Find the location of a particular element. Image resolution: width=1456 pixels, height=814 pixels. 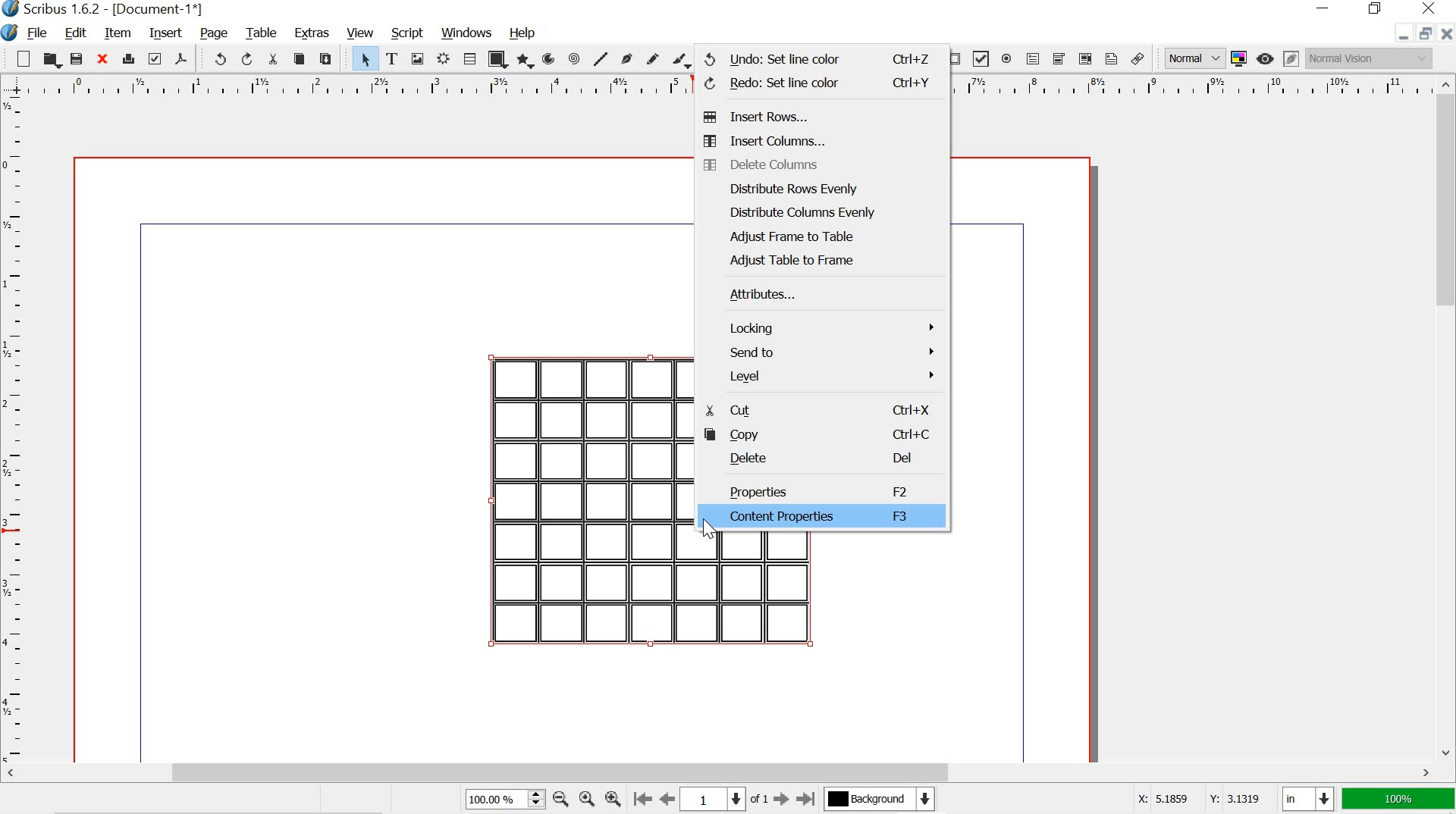

freehand line is located at coordinates (654, 58).